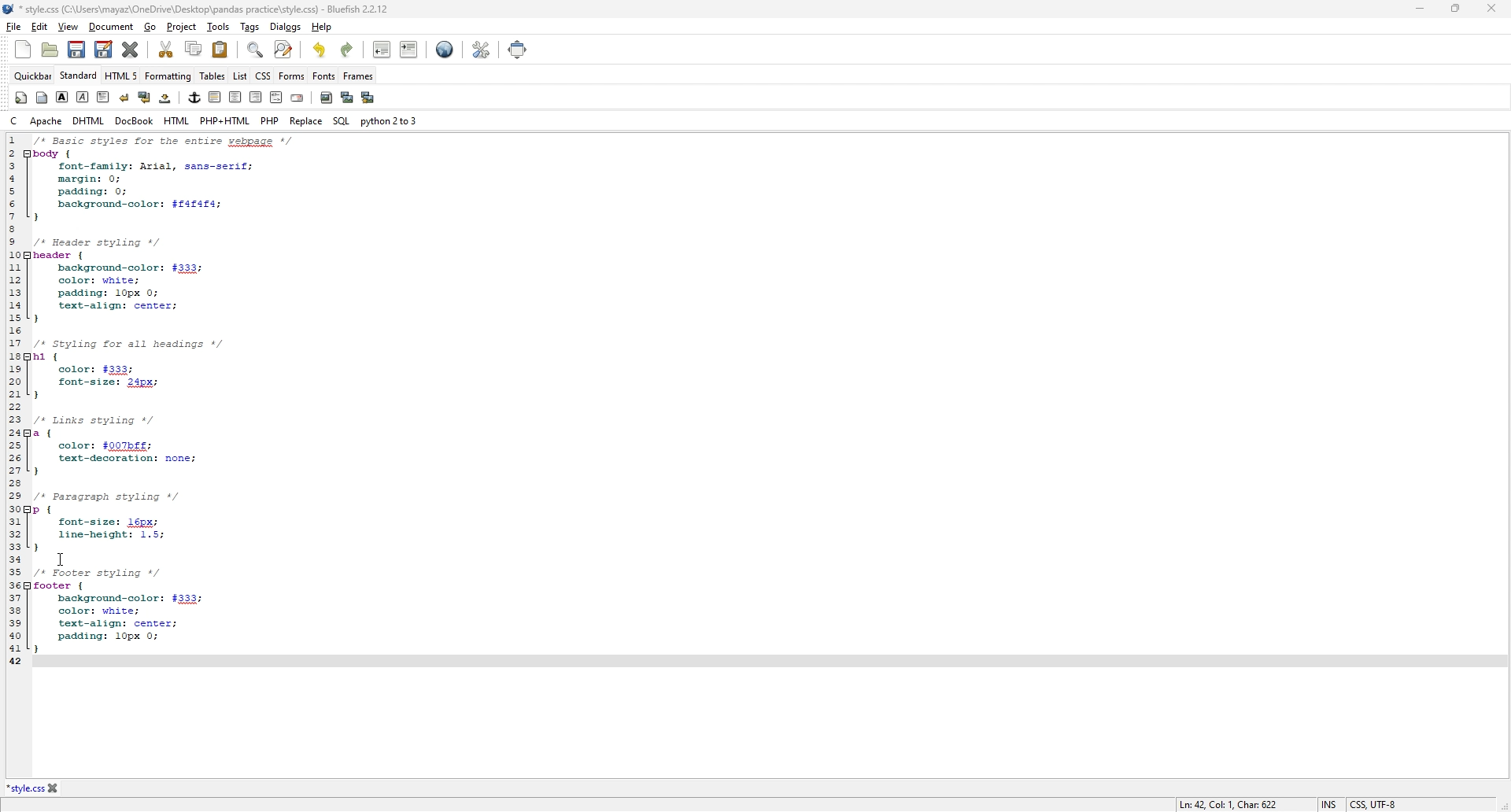 The width and height of the screenshot is (1511, 812). What do you see at coordinates (134, 121) in the screenshot?
I see `docbook` at bounding box center [134, 121].